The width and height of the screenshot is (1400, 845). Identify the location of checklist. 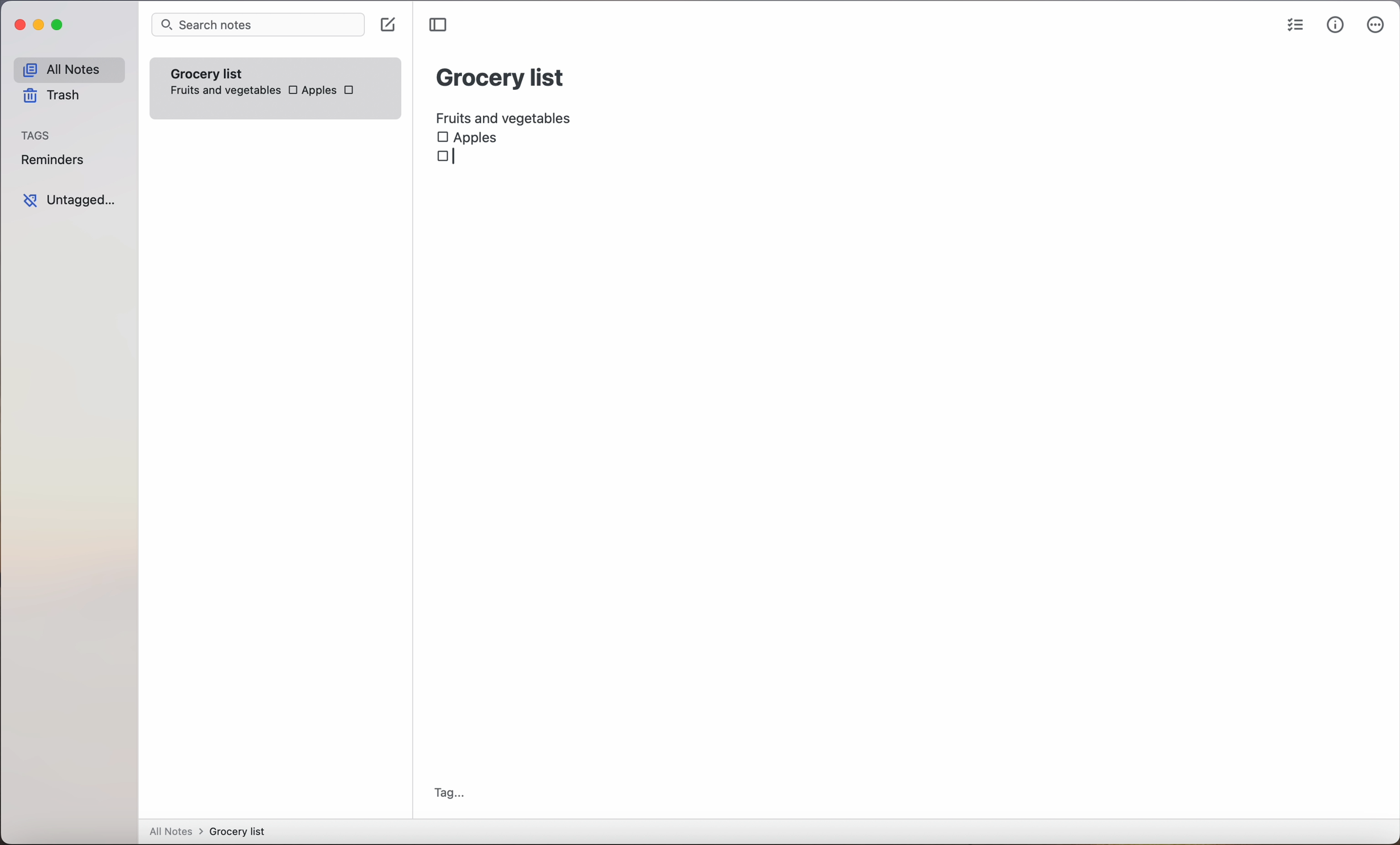
(1293, 27).